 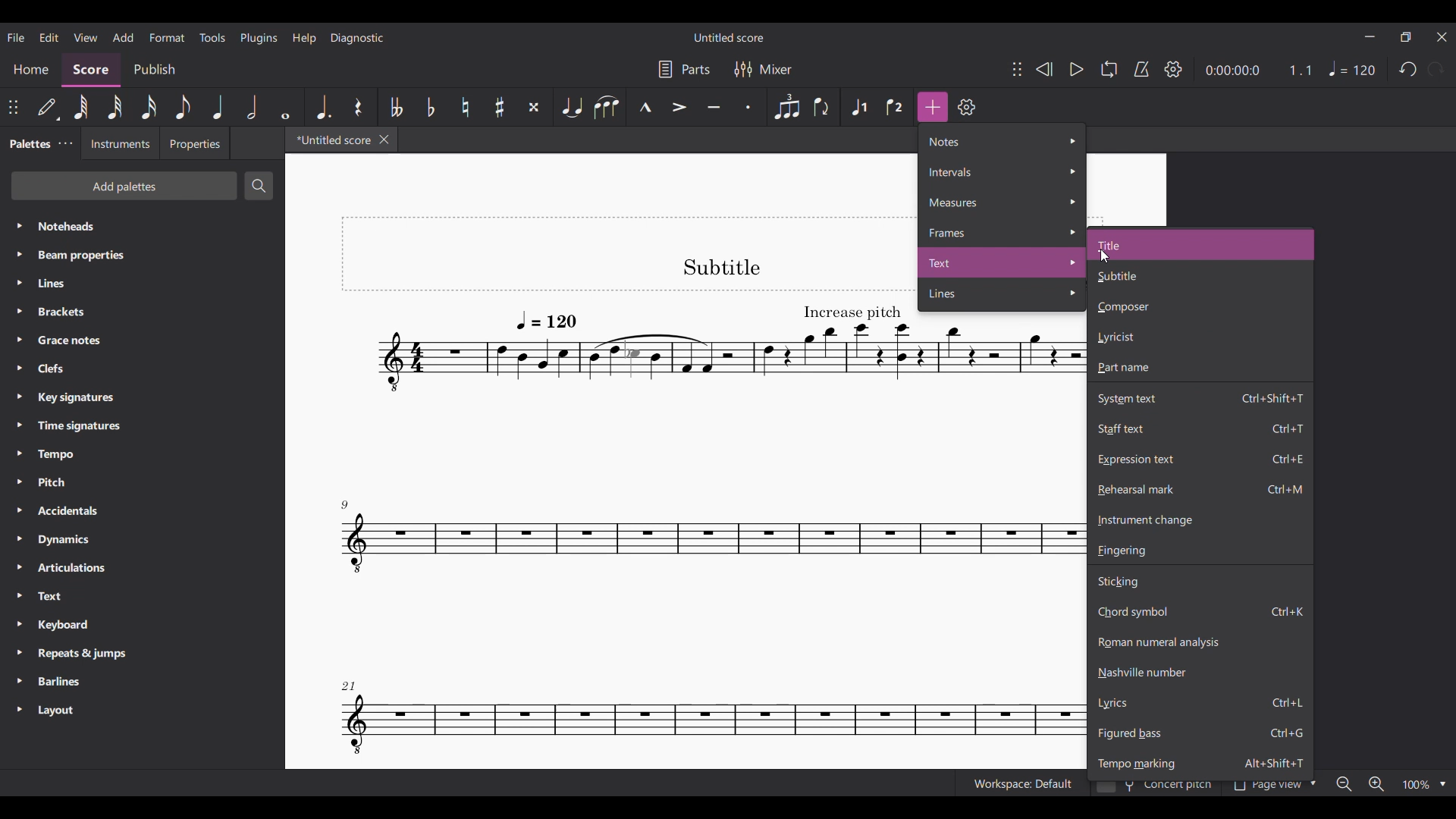 What do you see at coordinates (212, 37) in the screenshot?
I see `Tools menu` at bounding box center [212, 37].